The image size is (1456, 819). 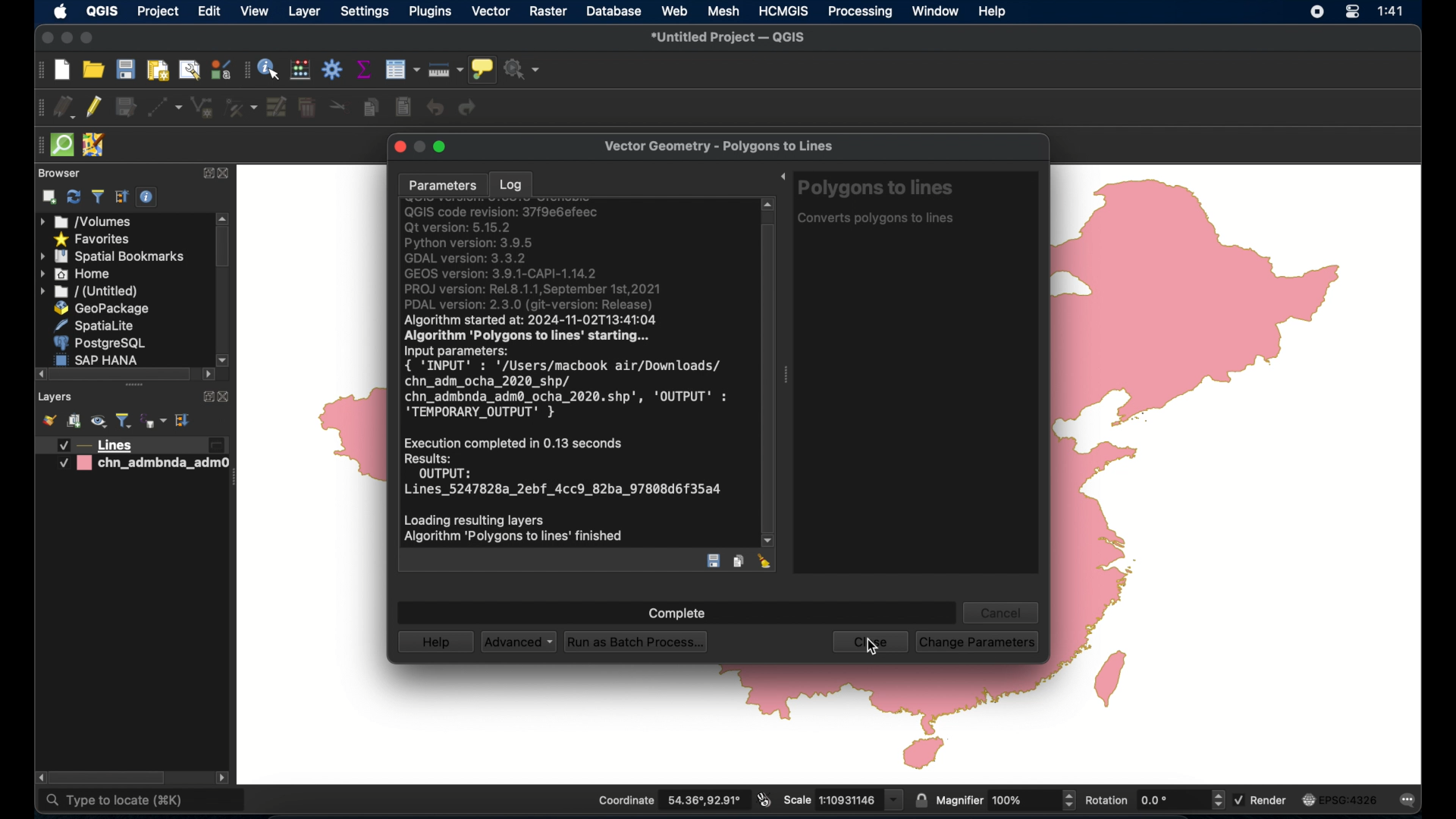 I want to click on modify attributes, so click(x=401, y=69).